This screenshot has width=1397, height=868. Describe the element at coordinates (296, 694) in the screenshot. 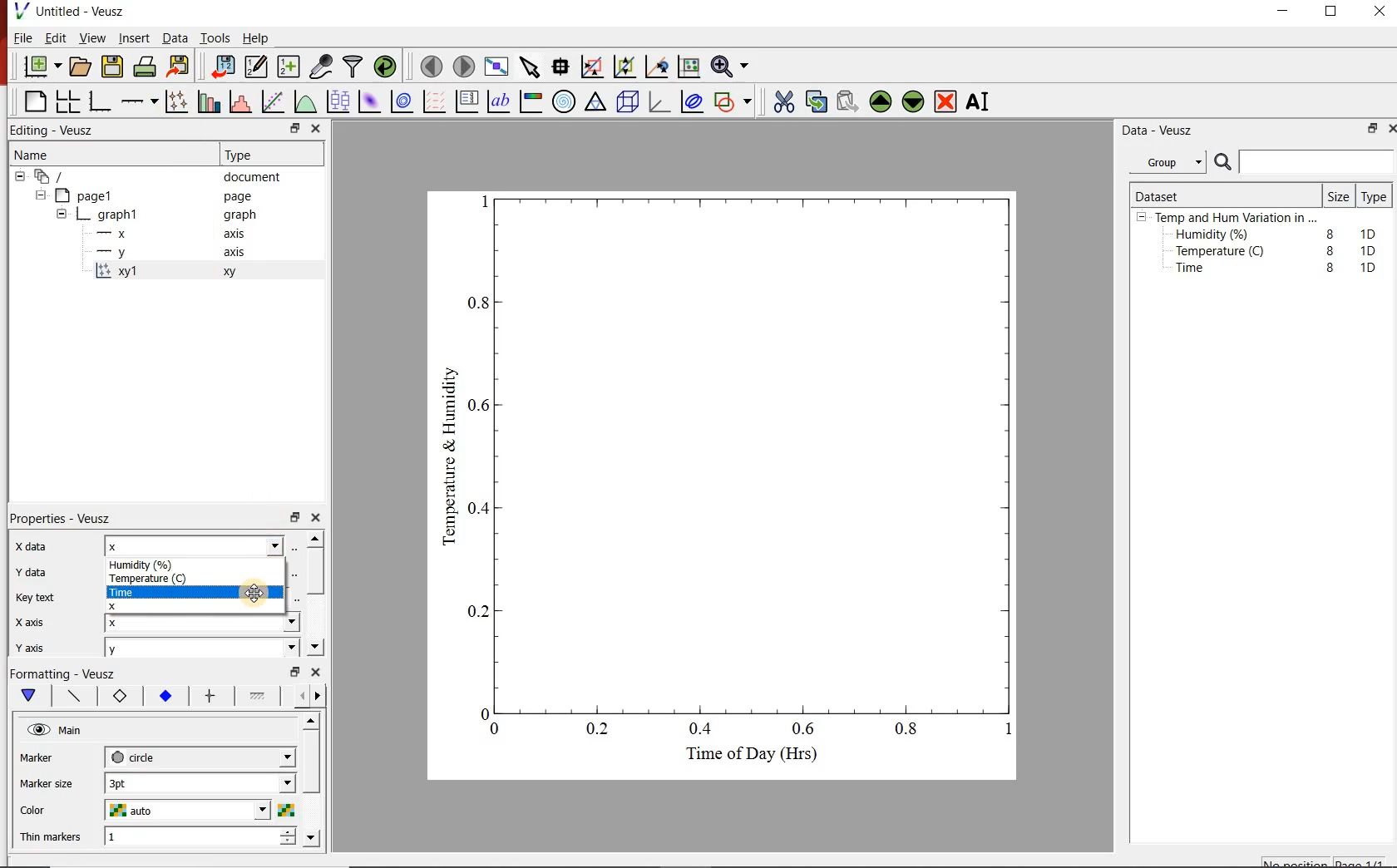

I see `go back` at that location.